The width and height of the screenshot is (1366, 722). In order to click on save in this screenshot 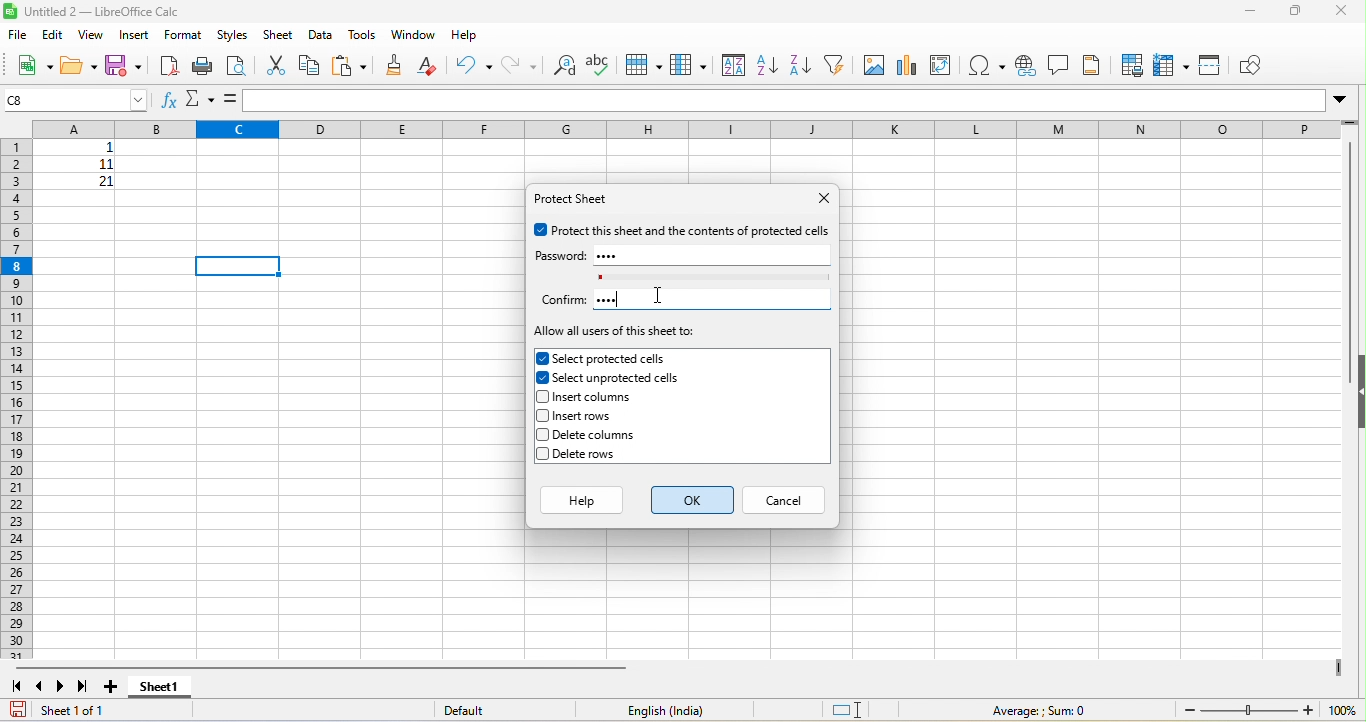, I will do `click(124, 66)`.